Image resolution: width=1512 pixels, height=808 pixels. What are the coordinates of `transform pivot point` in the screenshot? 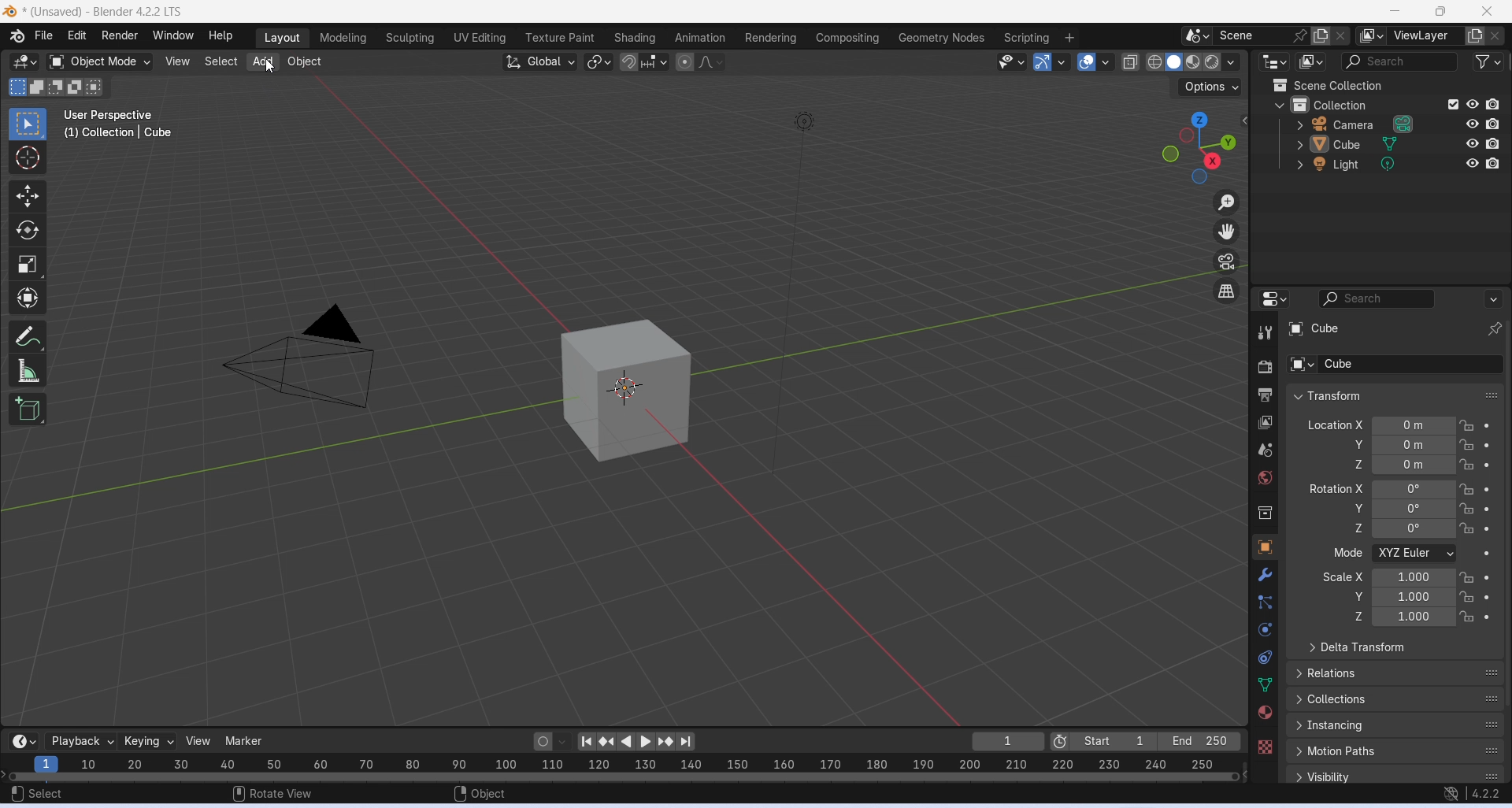 It's located at (600, 63).